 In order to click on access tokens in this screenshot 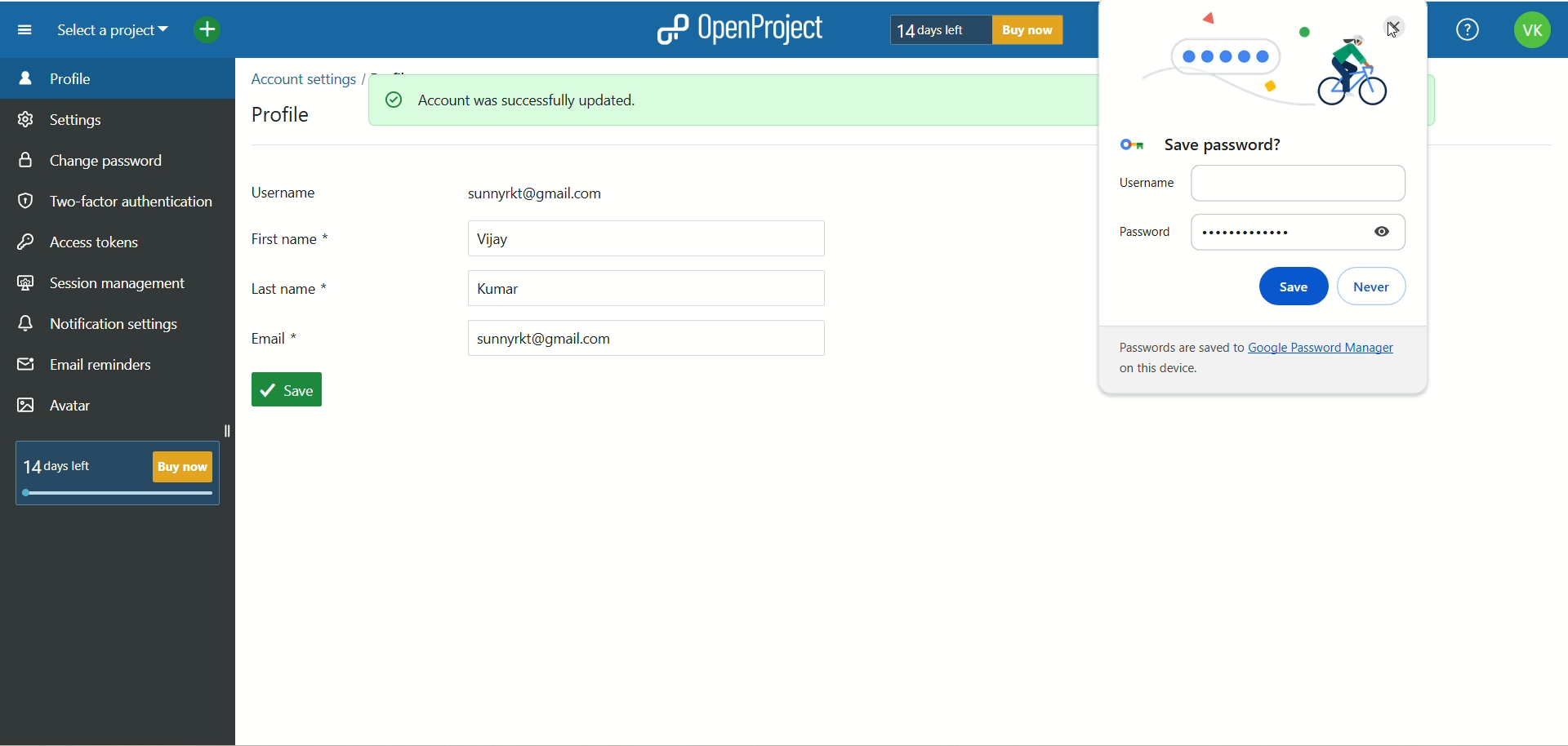, I will do `click(82, 240)`.